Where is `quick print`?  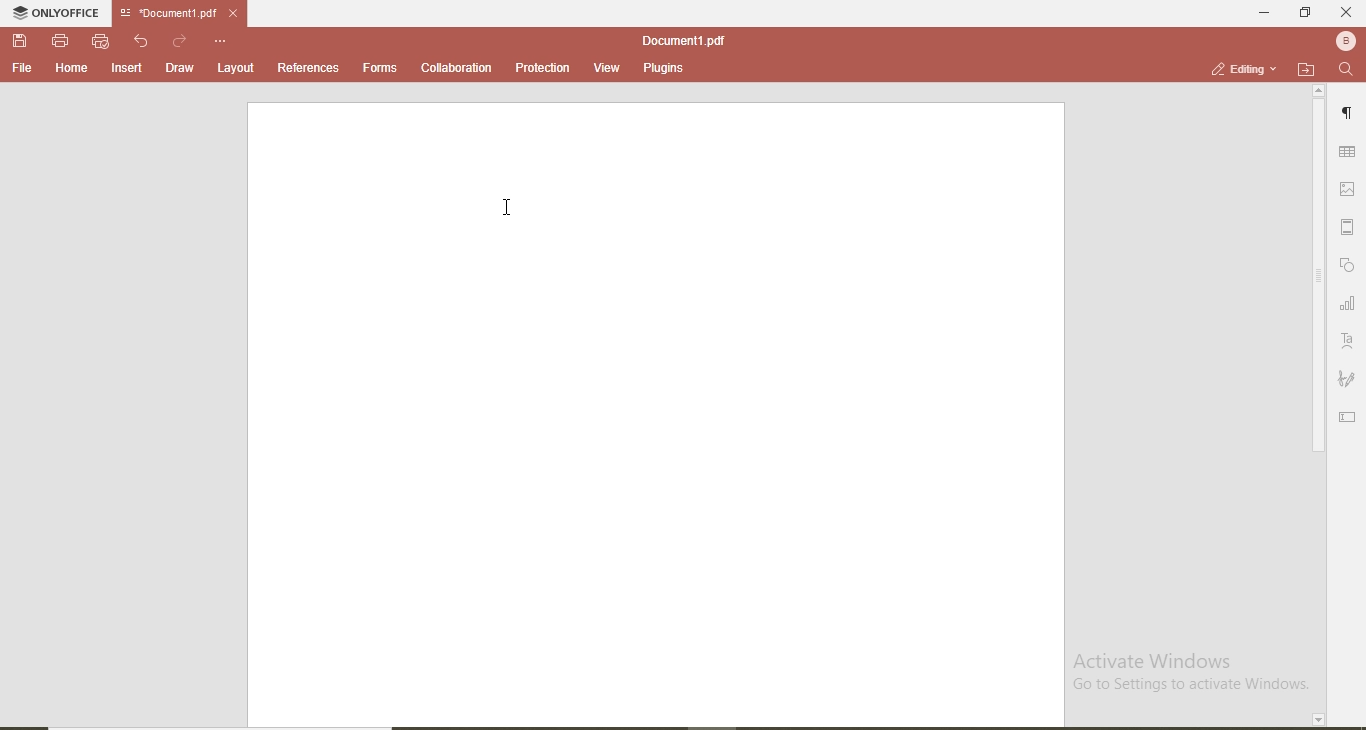
quick print is located at coordinates (100, 42).